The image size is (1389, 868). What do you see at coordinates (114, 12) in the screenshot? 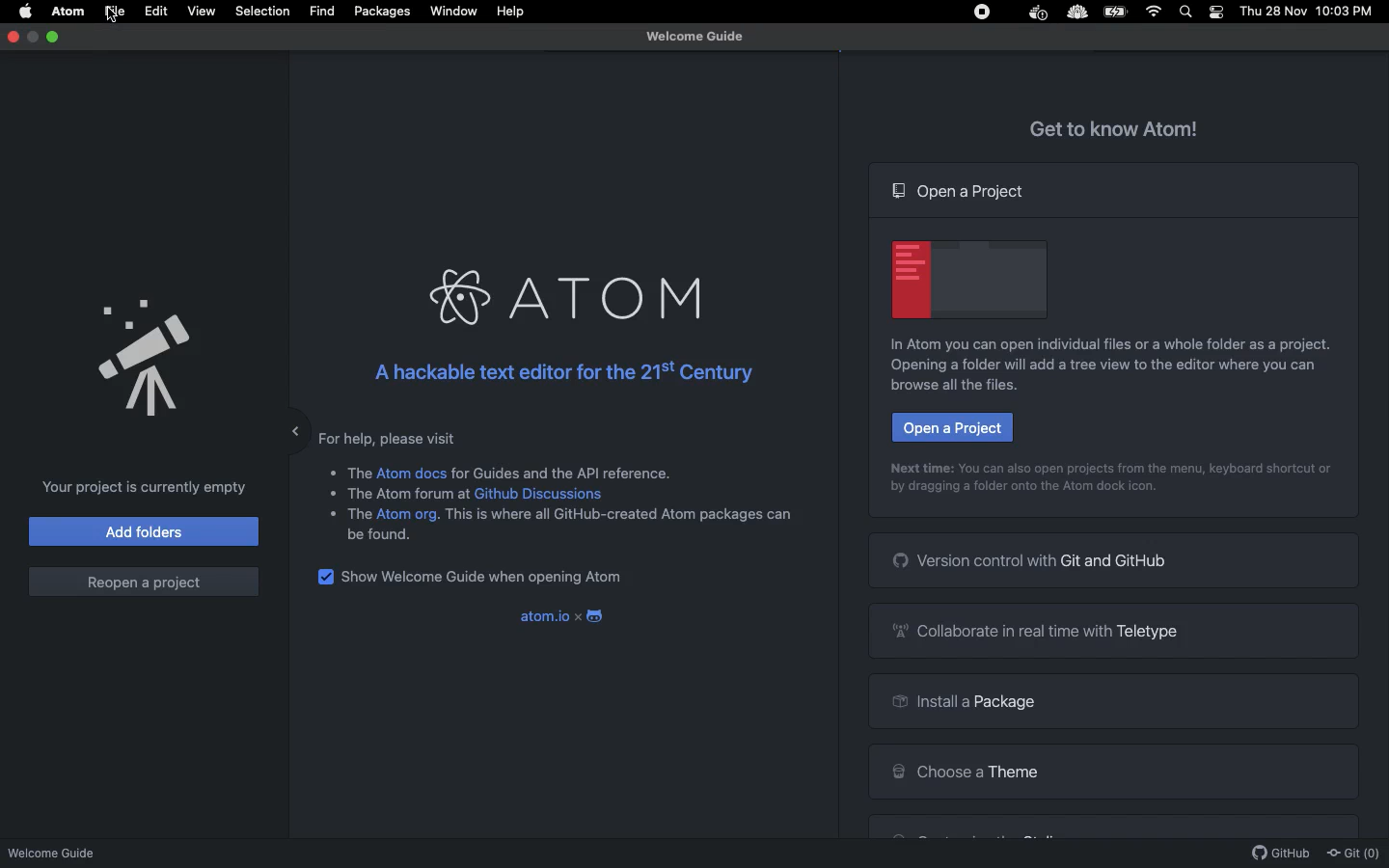
I see `File` at bounding box center [114, 12].